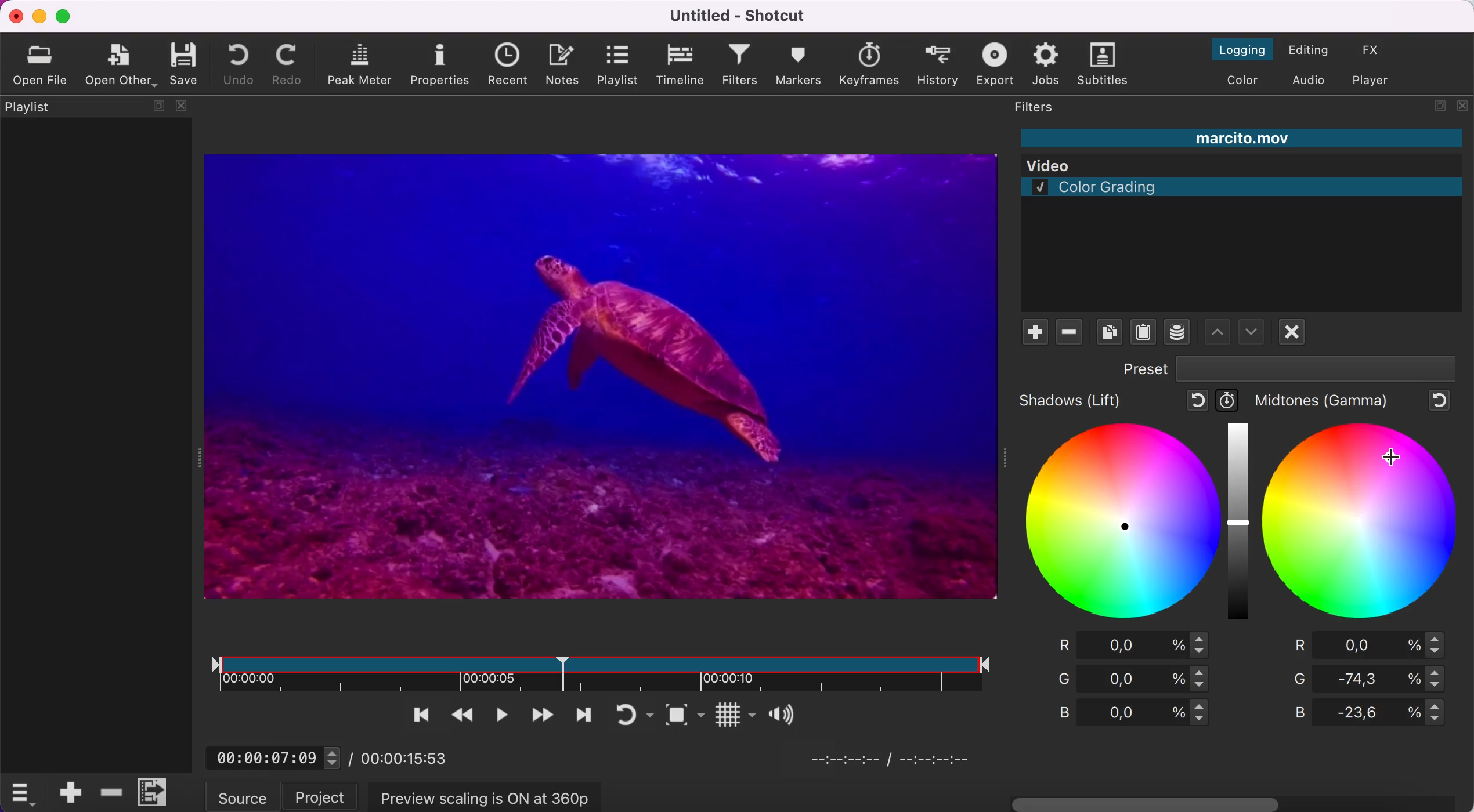 The image size is (1474, 812). I want to click on jobs, so click(1043, 66).